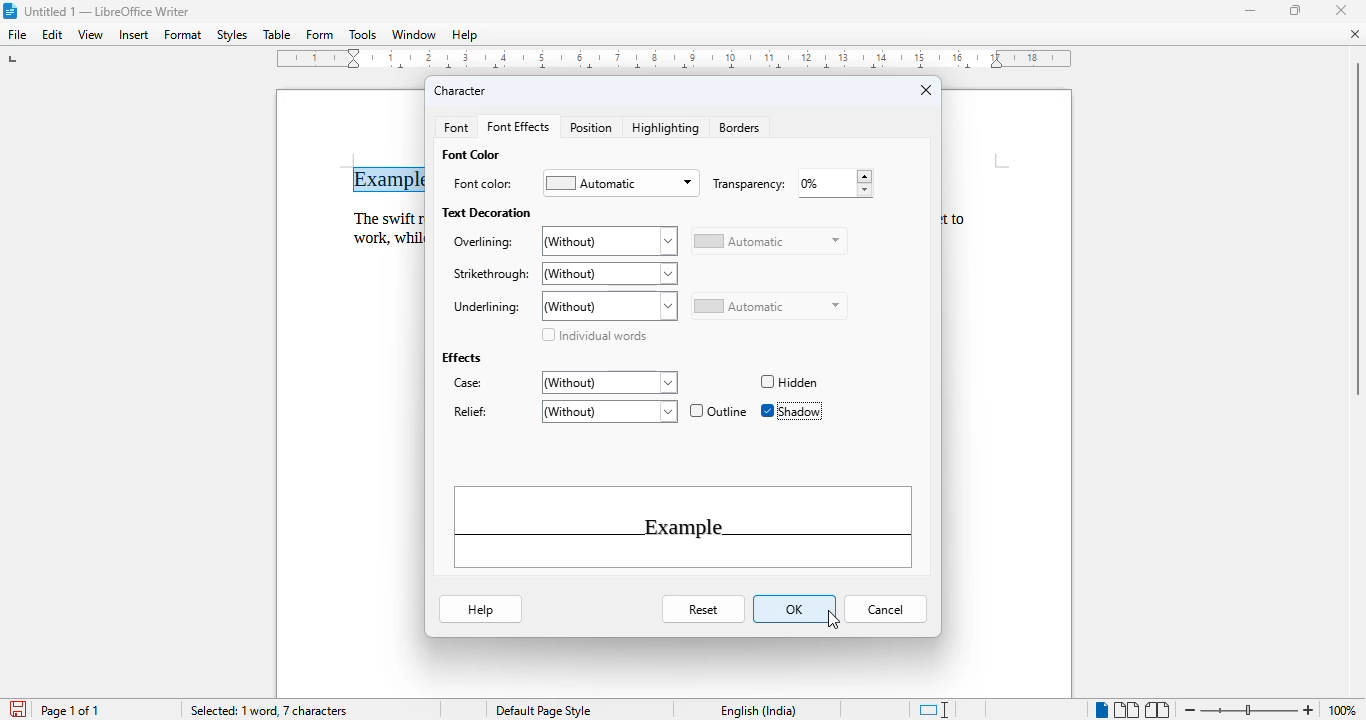 This screenshot has width=1366, height=720. I want to click on minimize, so click(1251, 11).